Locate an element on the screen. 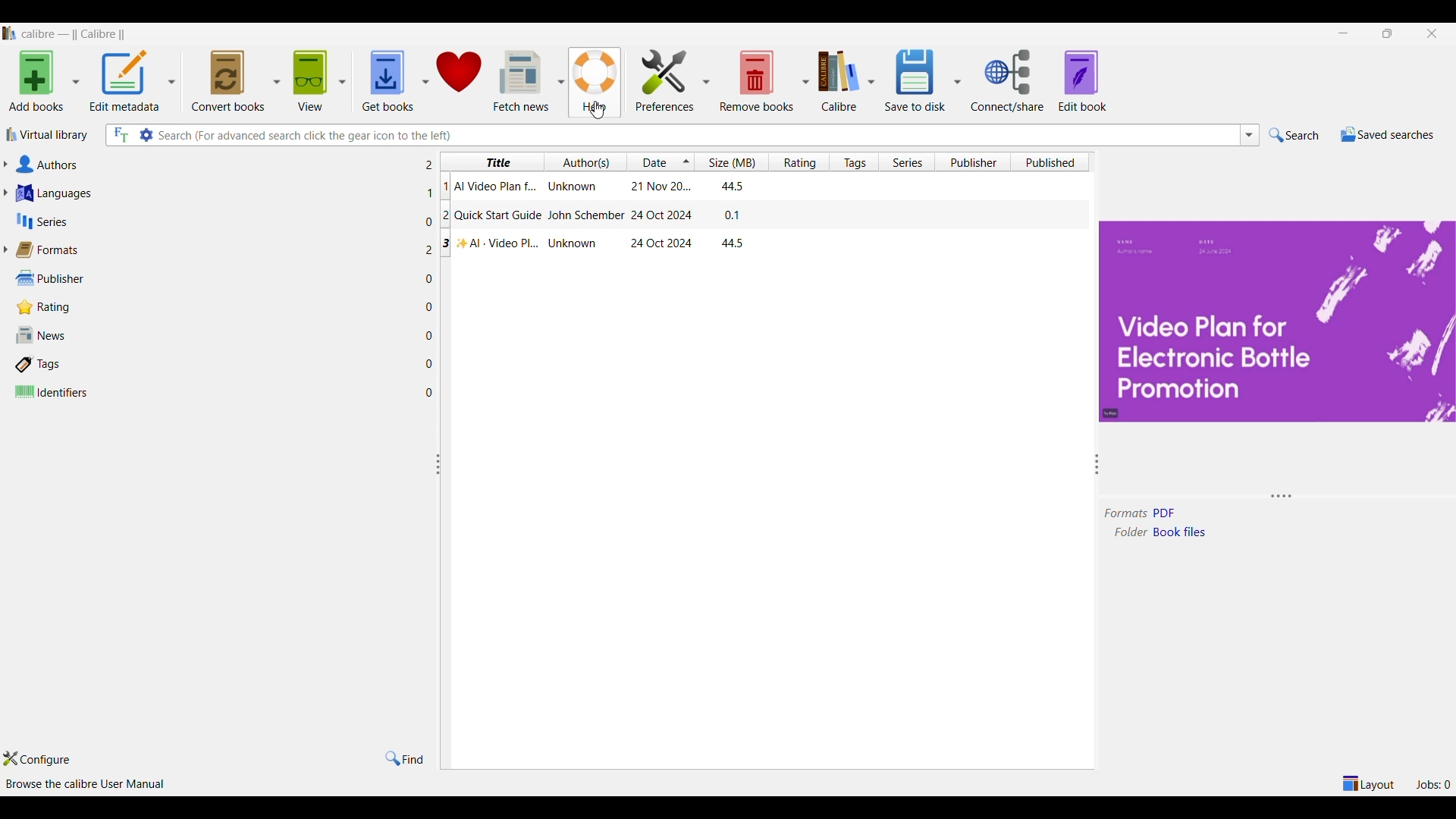  Add books is located at coordinates (36, 80).